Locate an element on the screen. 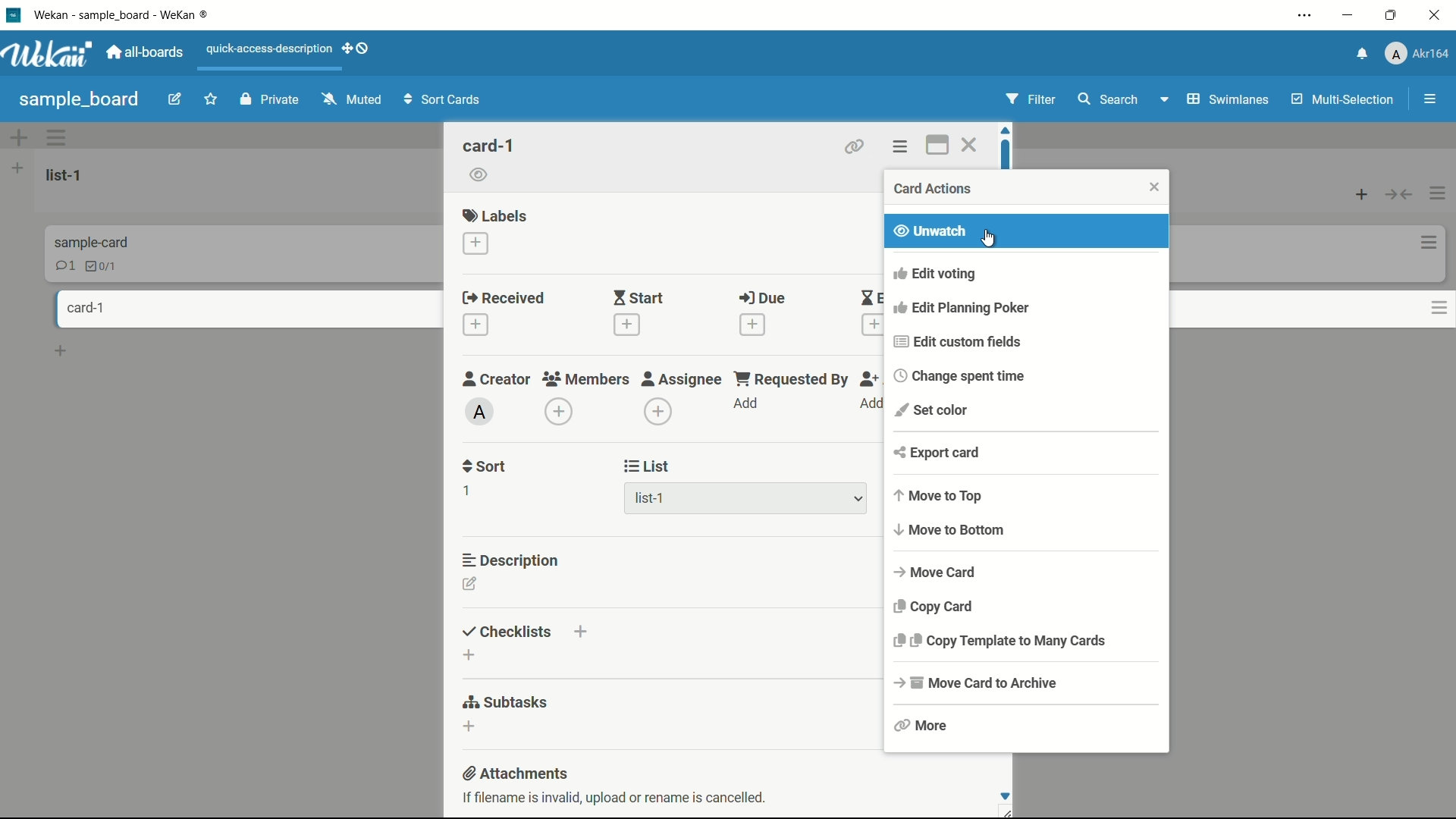 This screenshot has width=1456, height=819. edit planning poker is located at coordinates (968, 307).